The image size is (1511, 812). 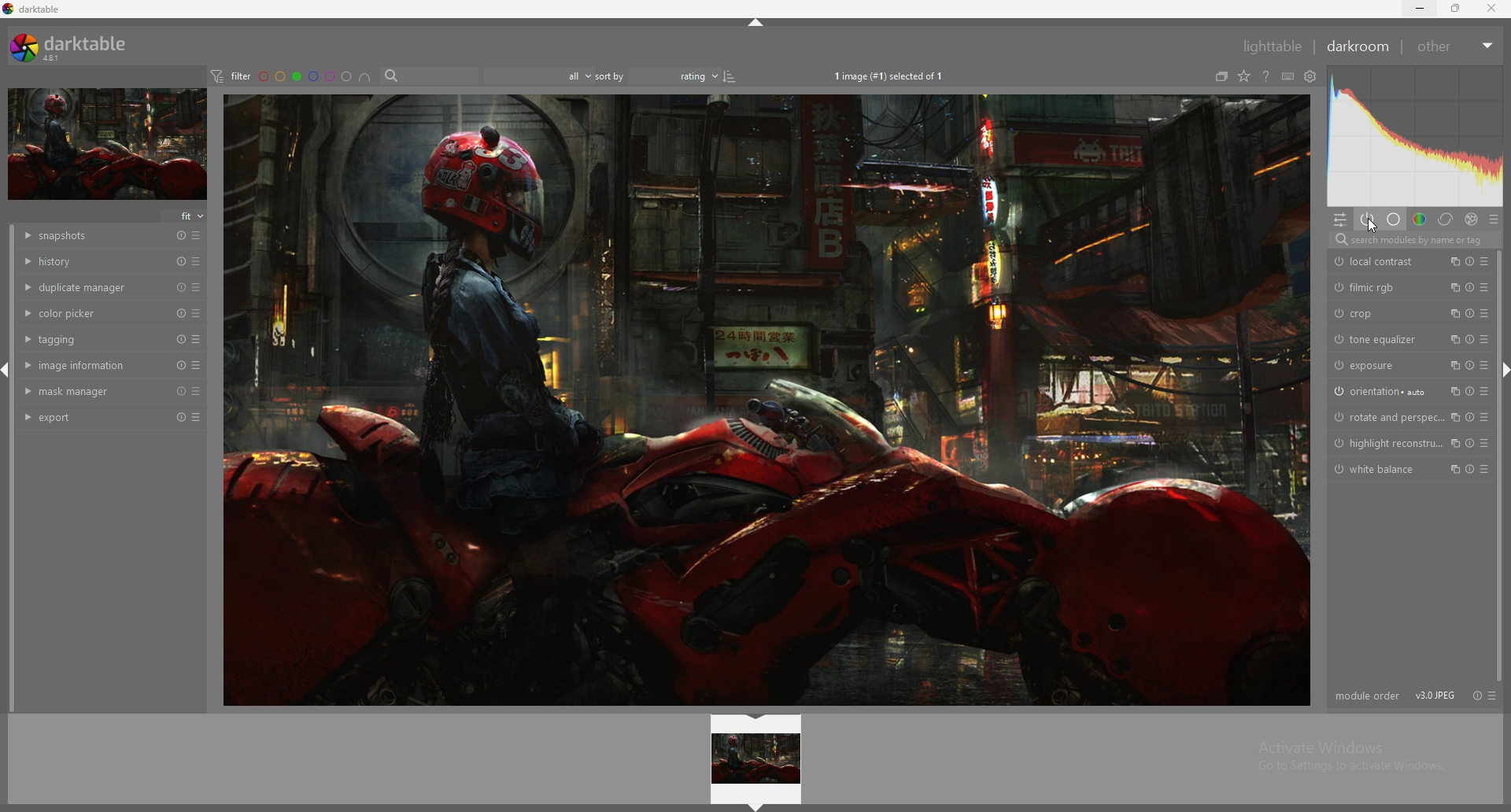 I want to click on reset, so click(x=179, y=418).